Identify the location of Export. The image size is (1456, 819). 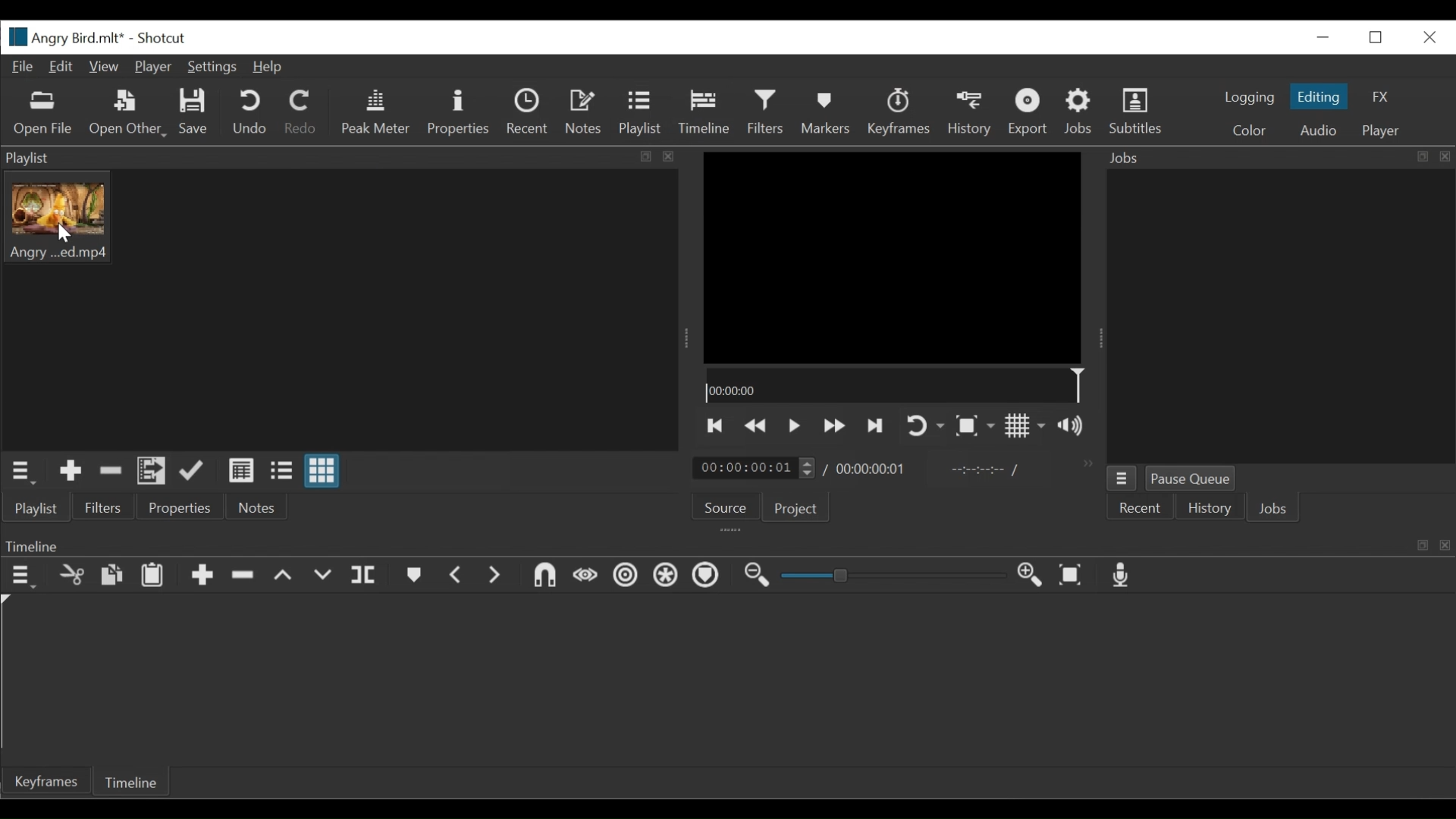
(1029, 114).